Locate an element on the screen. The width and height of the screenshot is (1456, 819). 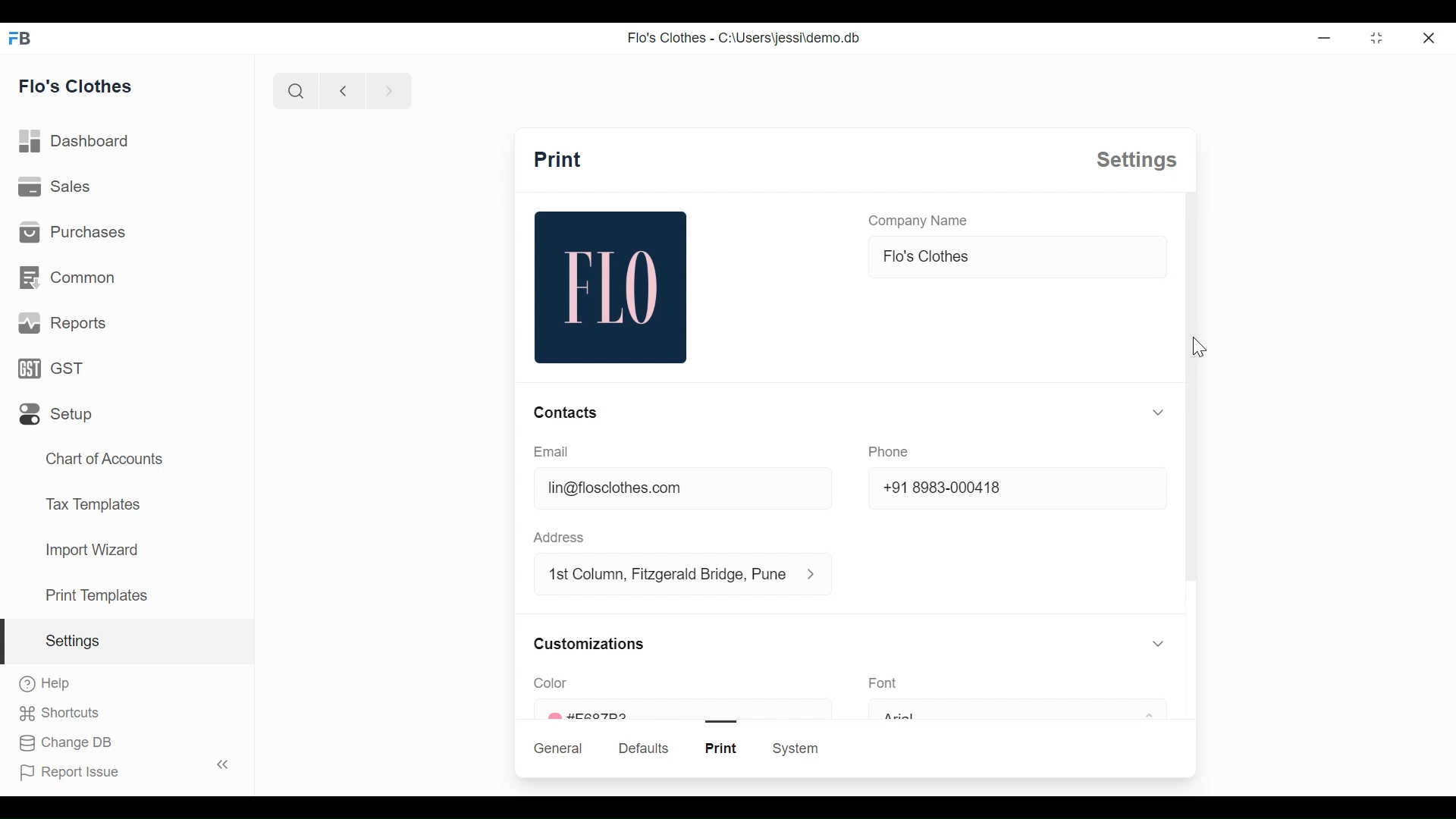
previous is located at coordinates (343, 90).